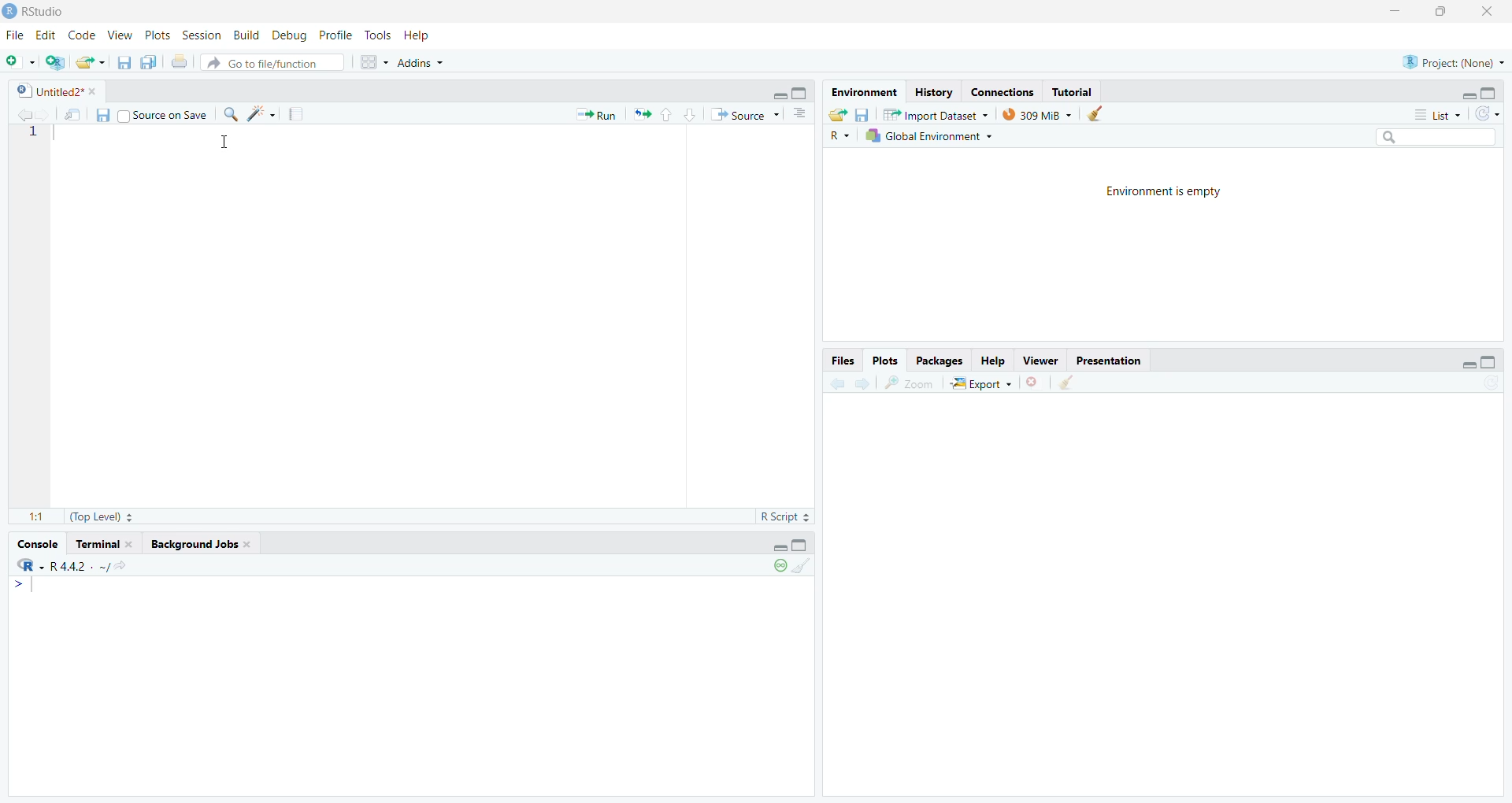 Image resolution: width=1512 pixels, height=803 pixels. What do you see at coordinates (121, 36) in the screenshot?
I see `View` at bounding box center [121, 36].